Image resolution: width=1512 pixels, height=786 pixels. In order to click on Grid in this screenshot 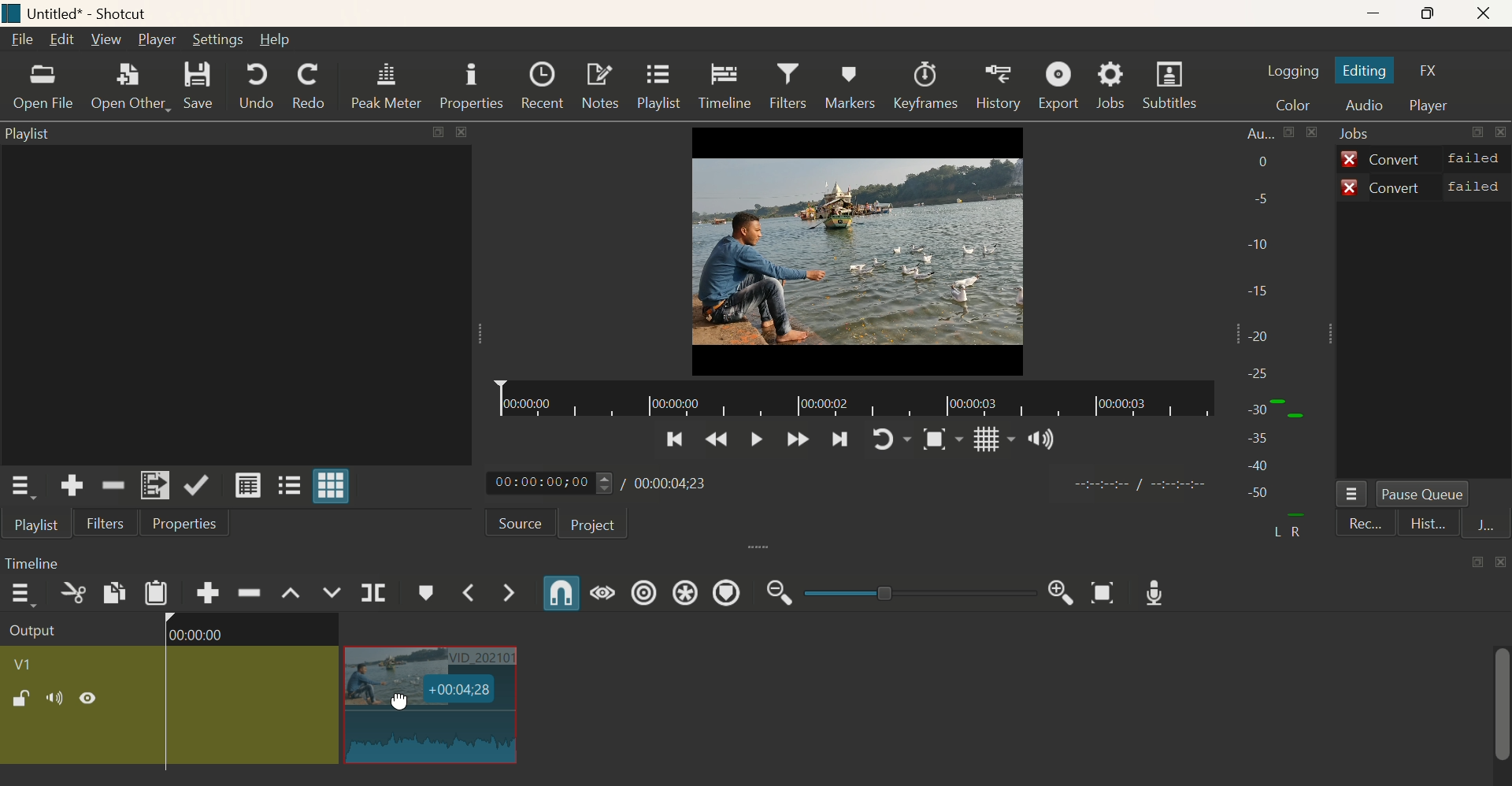, I will do `click(985, 442)`.